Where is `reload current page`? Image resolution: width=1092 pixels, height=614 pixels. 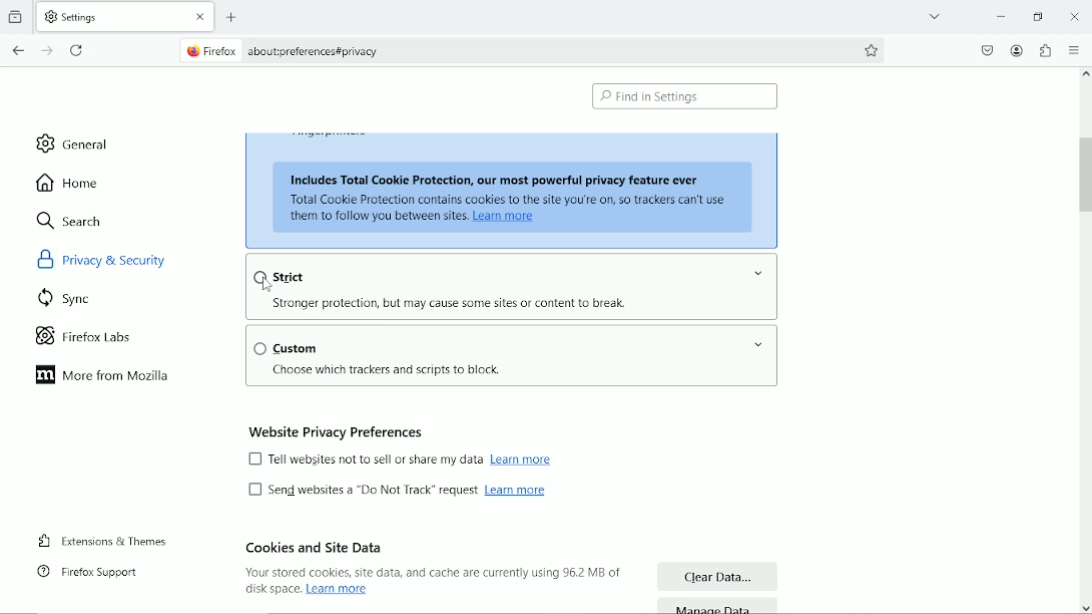
reload current page is located at coordinates (79, 49).